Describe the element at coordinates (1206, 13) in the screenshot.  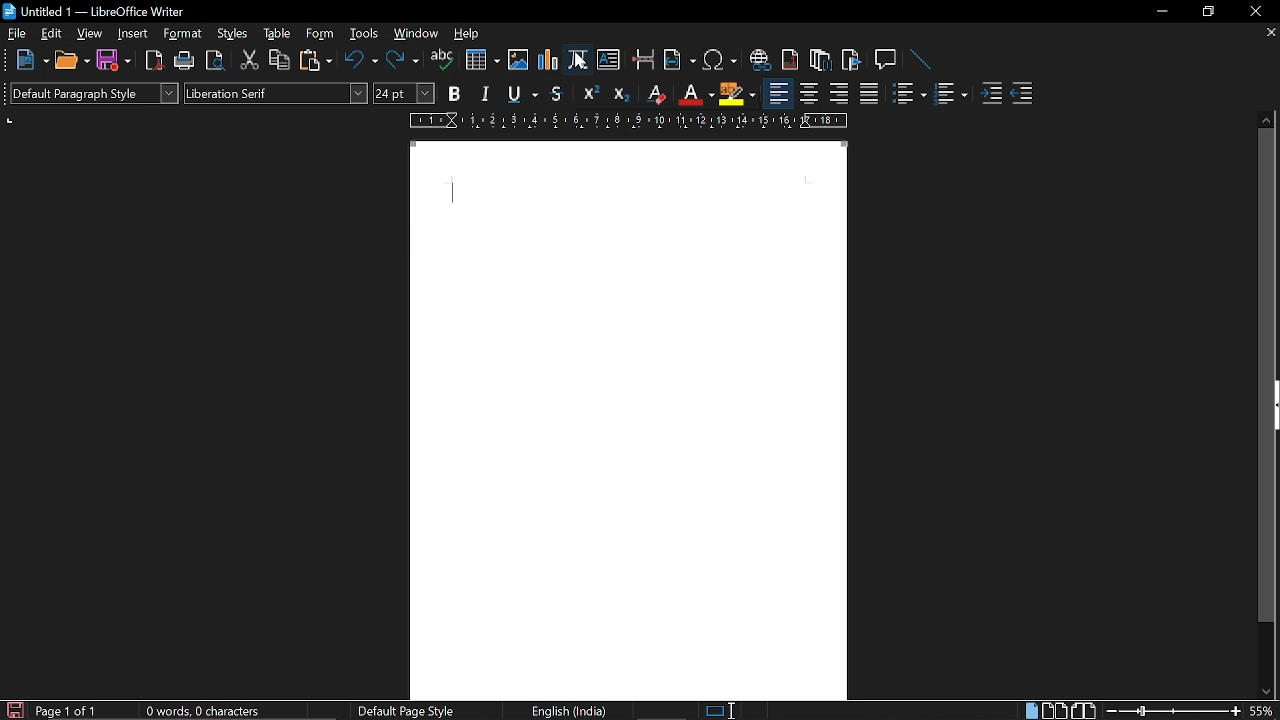
I see `restore down` at that location.